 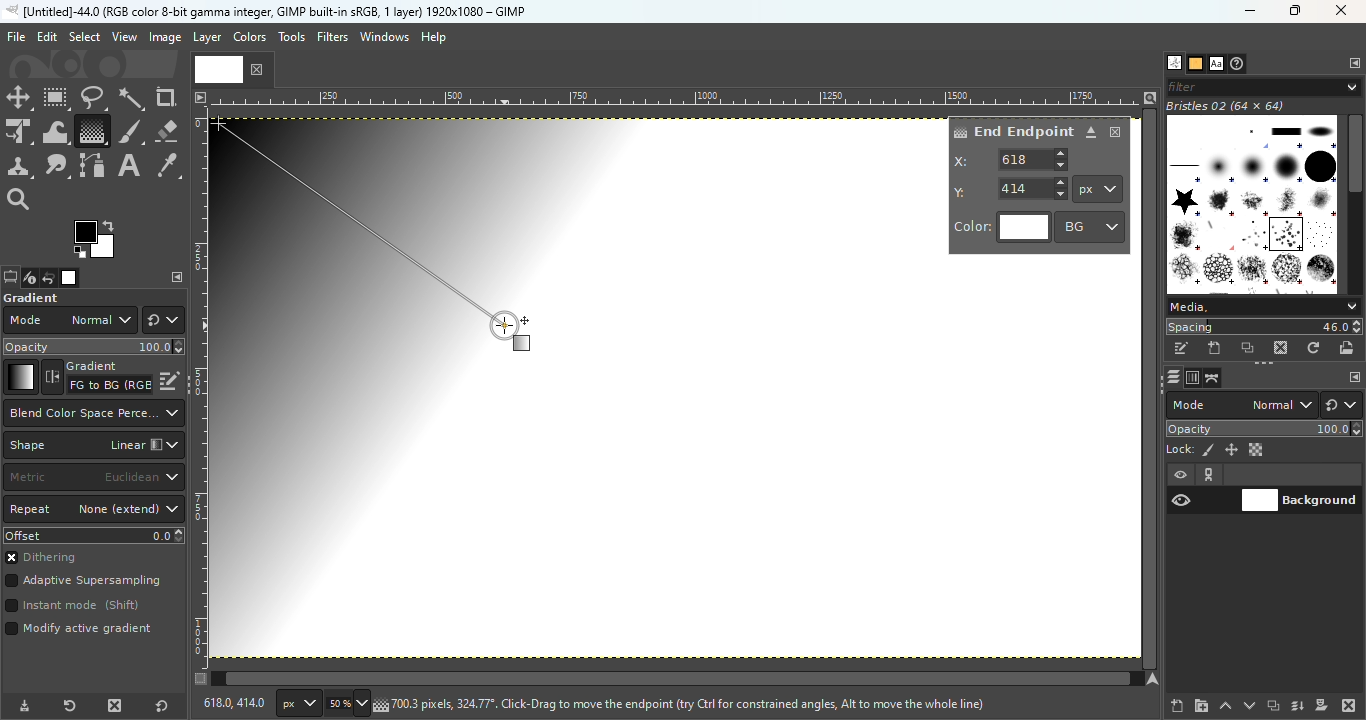 I want to click on Move tool, so click(x=19, y=98).